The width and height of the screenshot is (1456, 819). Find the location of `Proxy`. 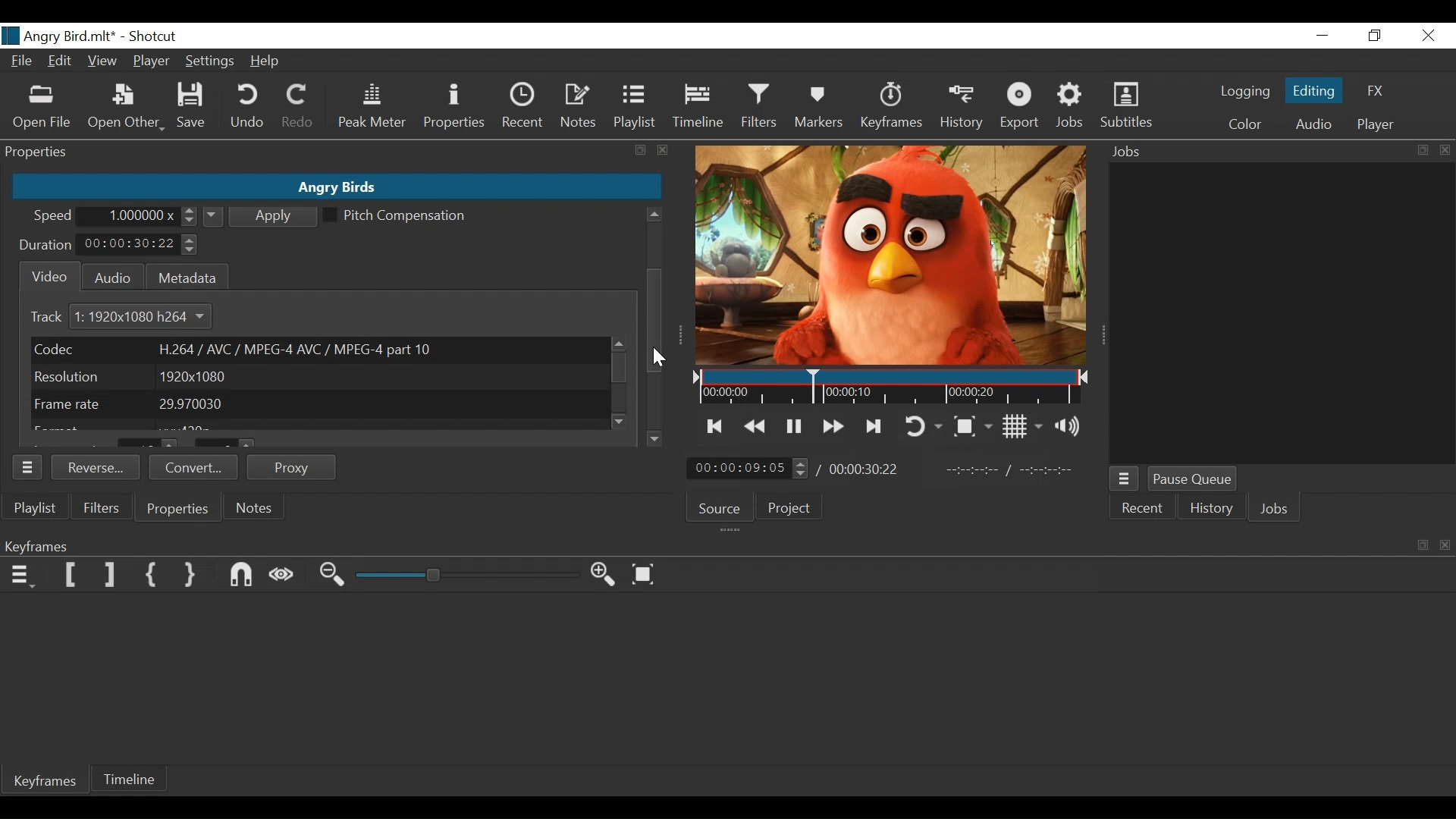

Proxy is located at coordinates (293, 467).